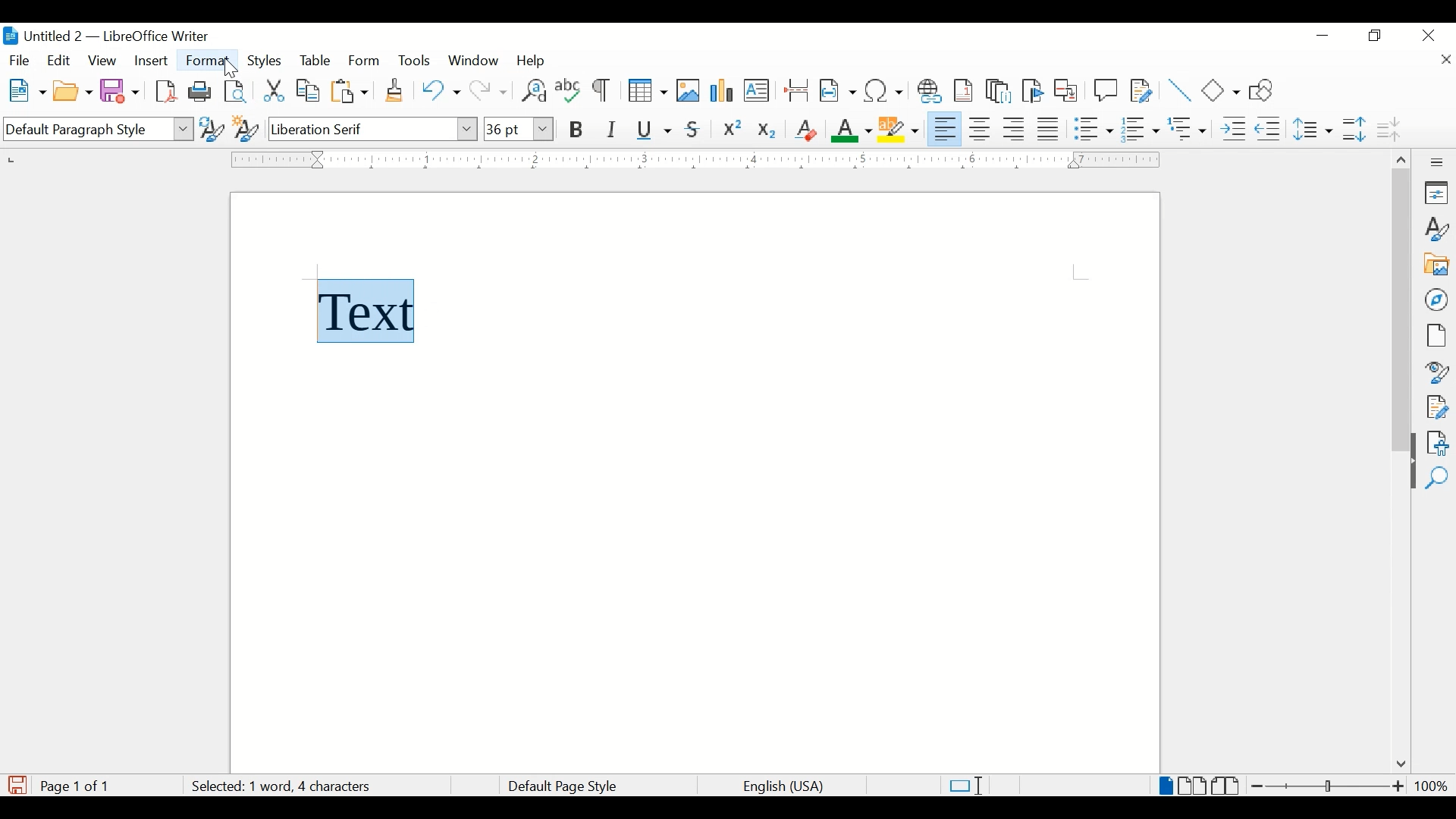  I want to click on accessibility check, so click(1438, 443).